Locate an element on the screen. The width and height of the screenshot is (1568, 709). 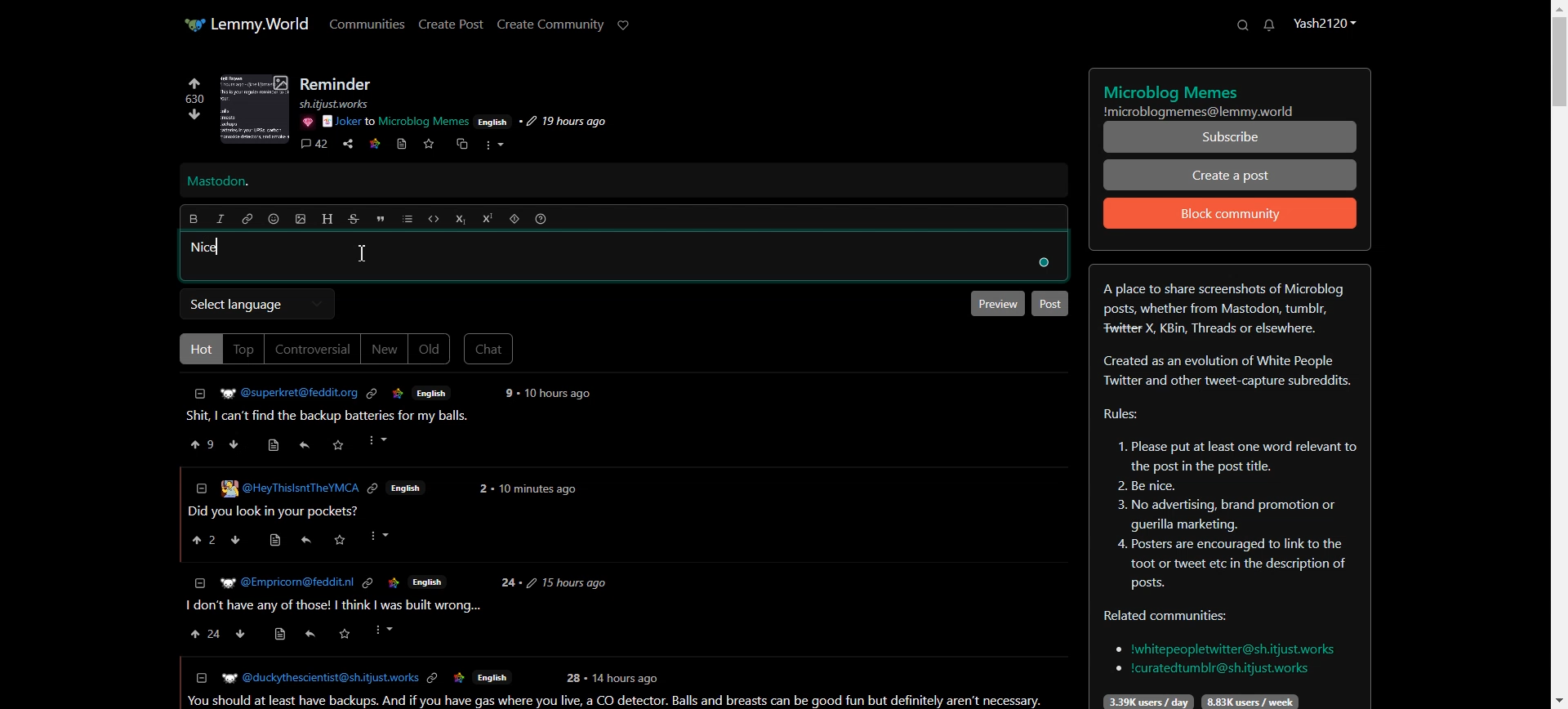
 is located at coordinates (567, 582).